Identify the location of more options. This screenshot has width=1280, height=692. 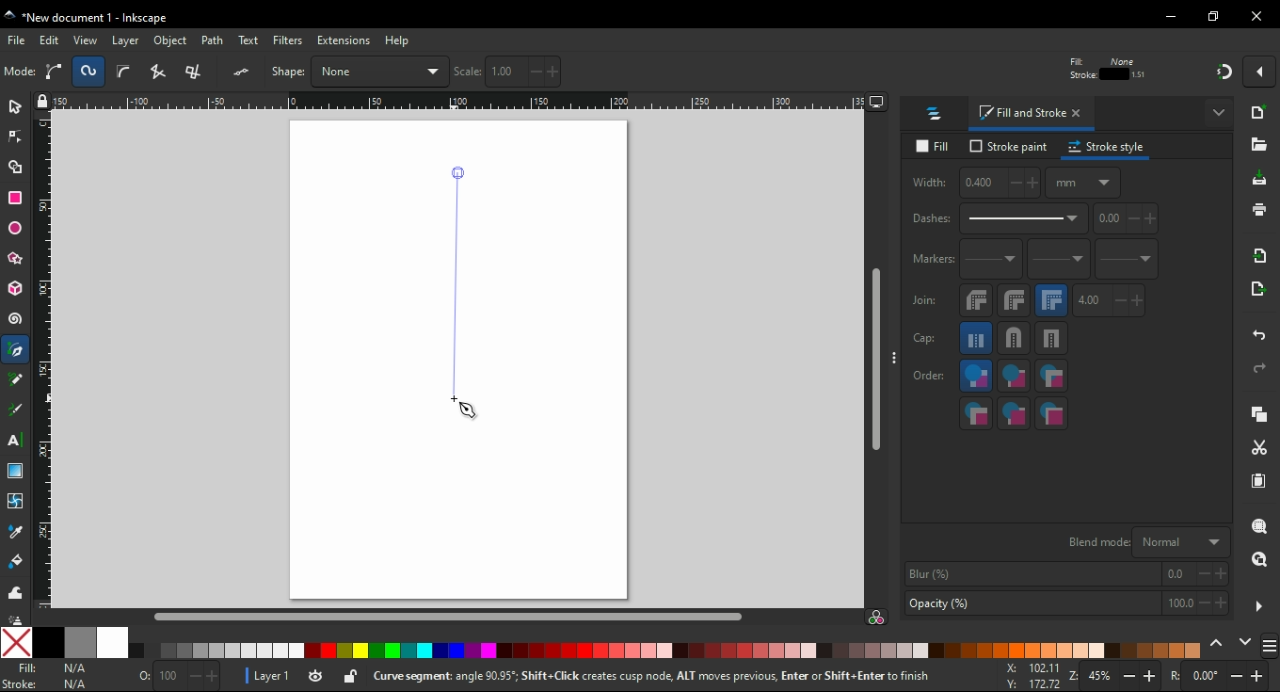
(1220, 111).